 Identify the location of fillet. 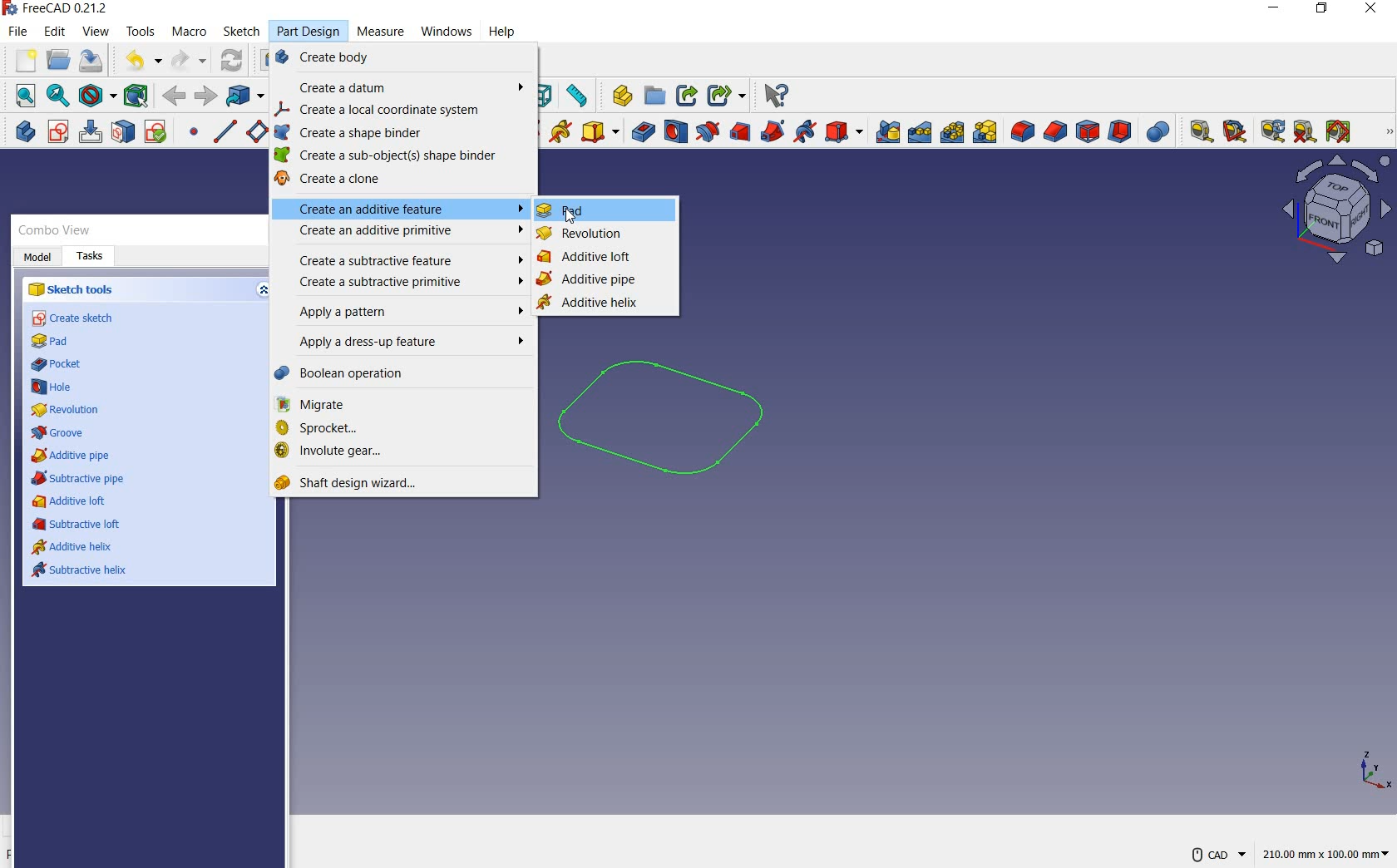
(1023, 132).